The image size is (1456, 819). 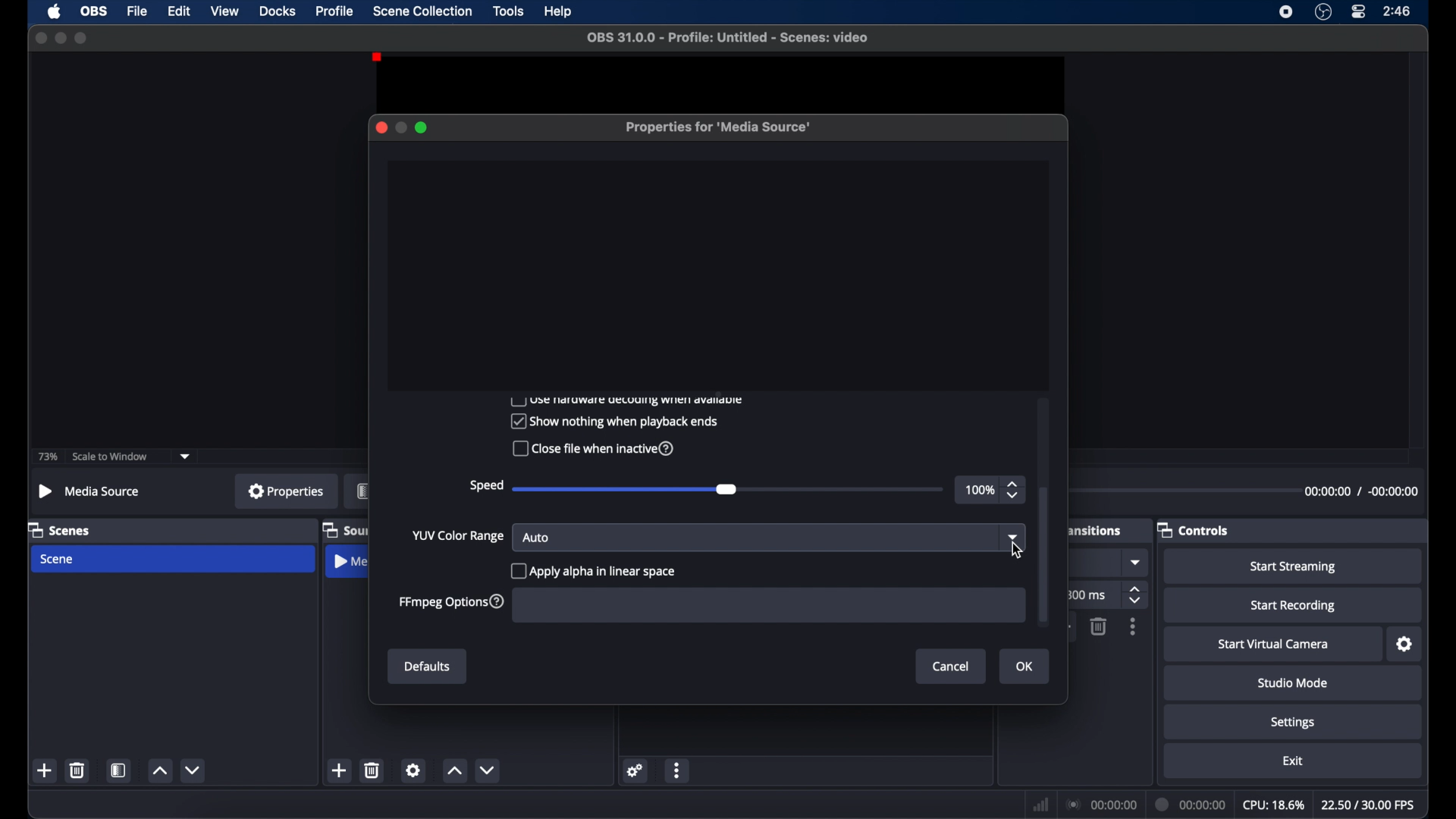 I want to click on settings, so click(x=413, y=770).